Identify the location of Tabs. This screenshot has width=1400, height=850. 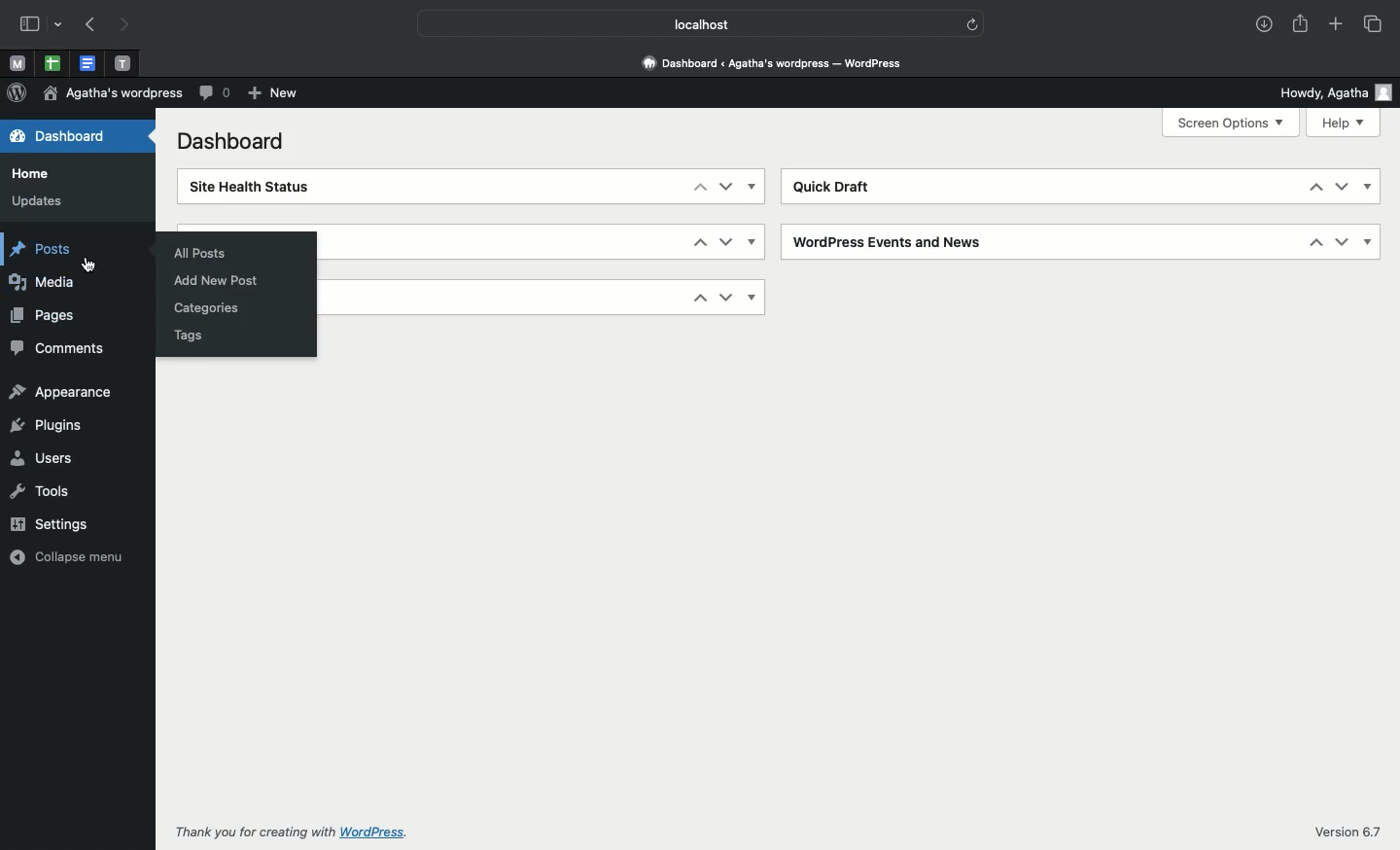
(1376, 24).